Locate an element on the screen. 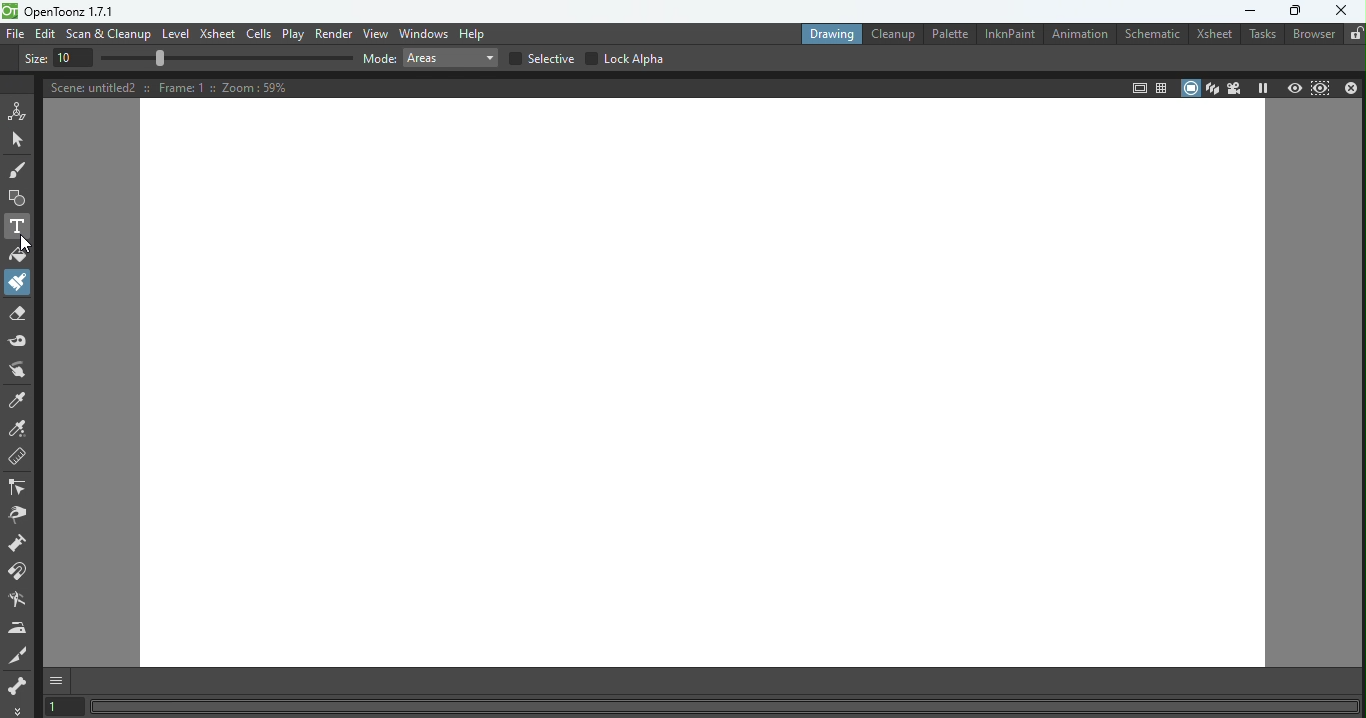  Blender tool is located at coordinates (21, 599).